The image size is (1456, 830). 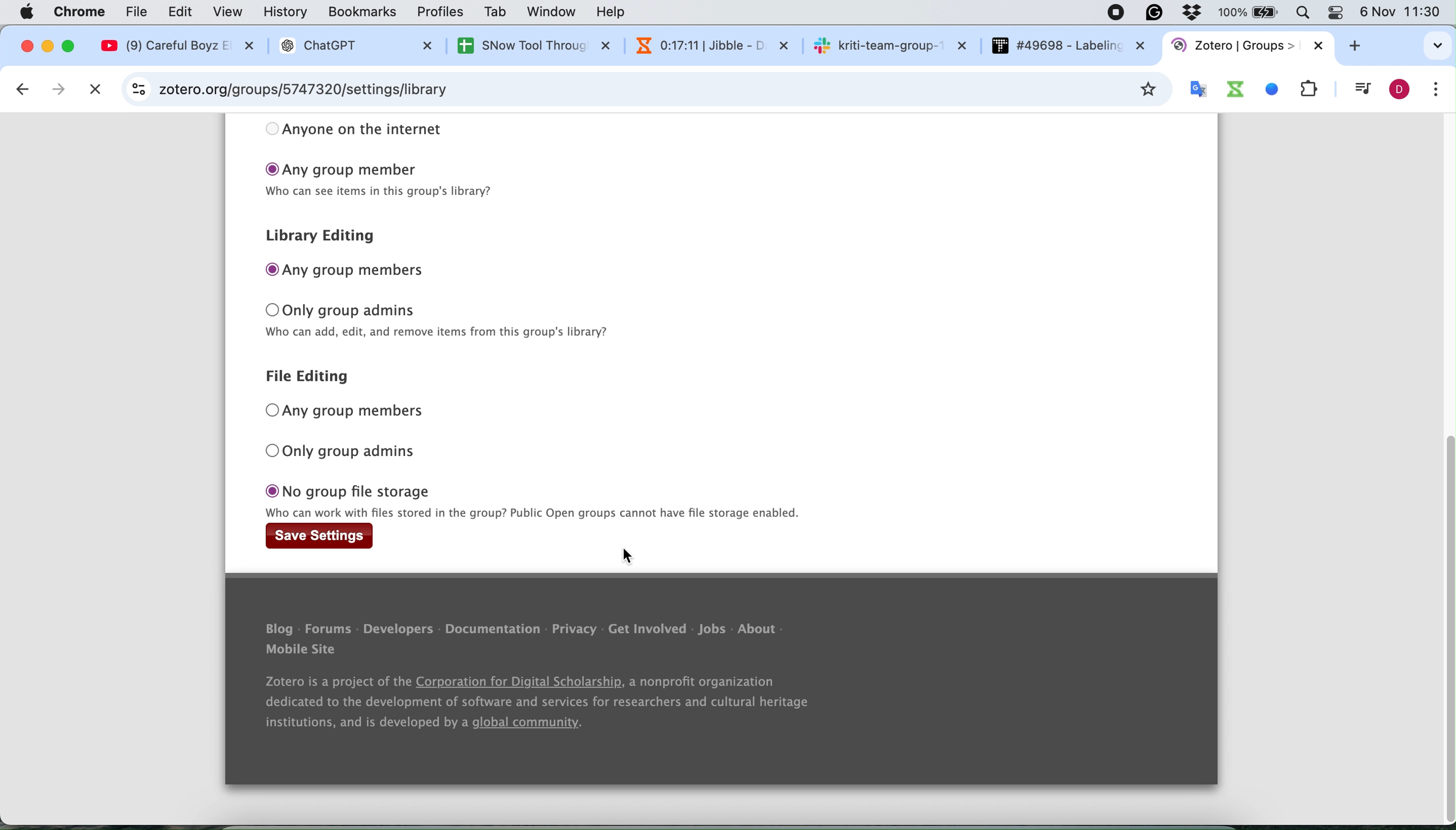 What do you see at coordinates (363, 14) in the screenshot?
I see `bookmarks` at bounding box center [363, 14].